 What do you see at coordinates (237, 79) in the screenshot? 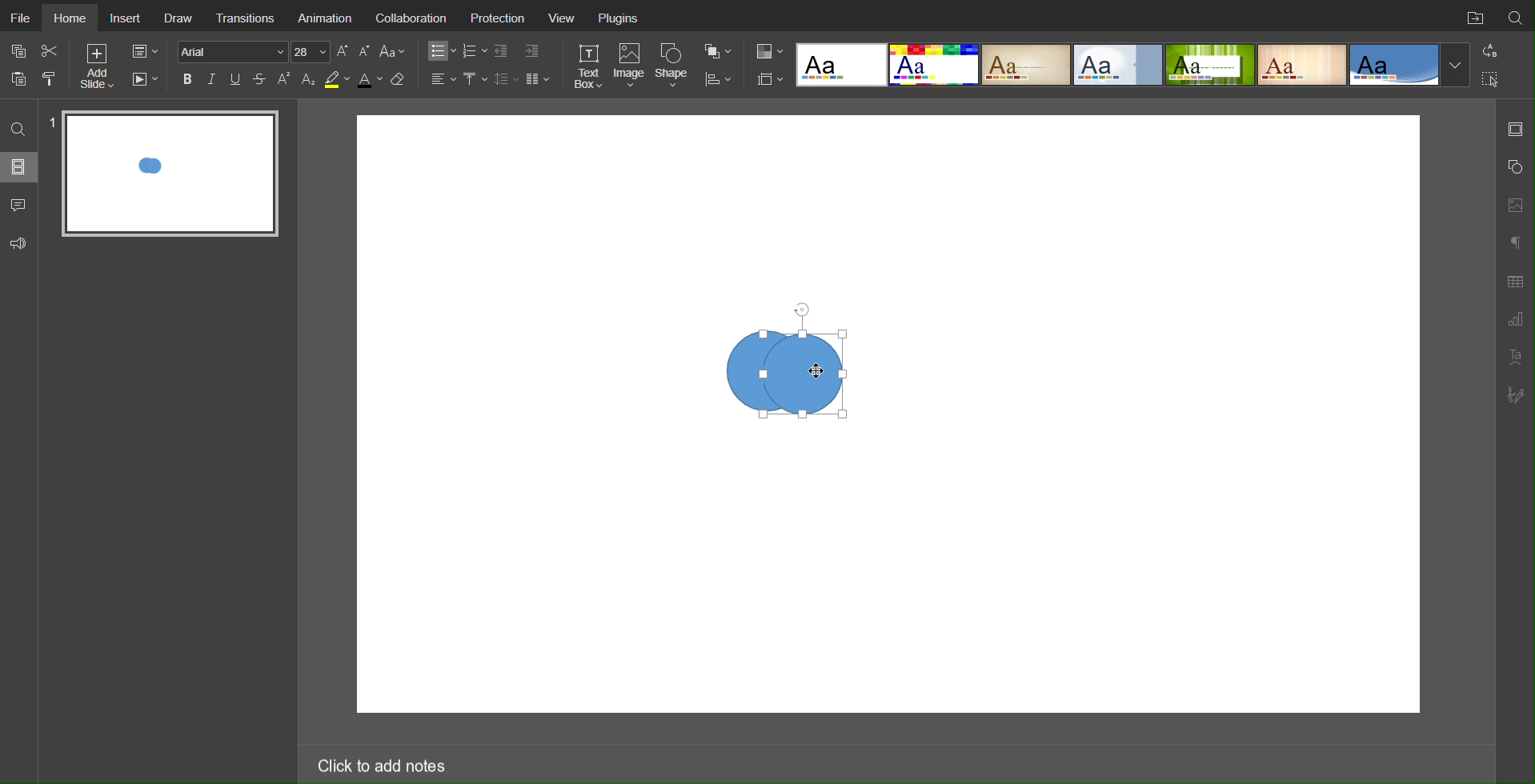
I see `Underline` at bounding box center [237, 79].